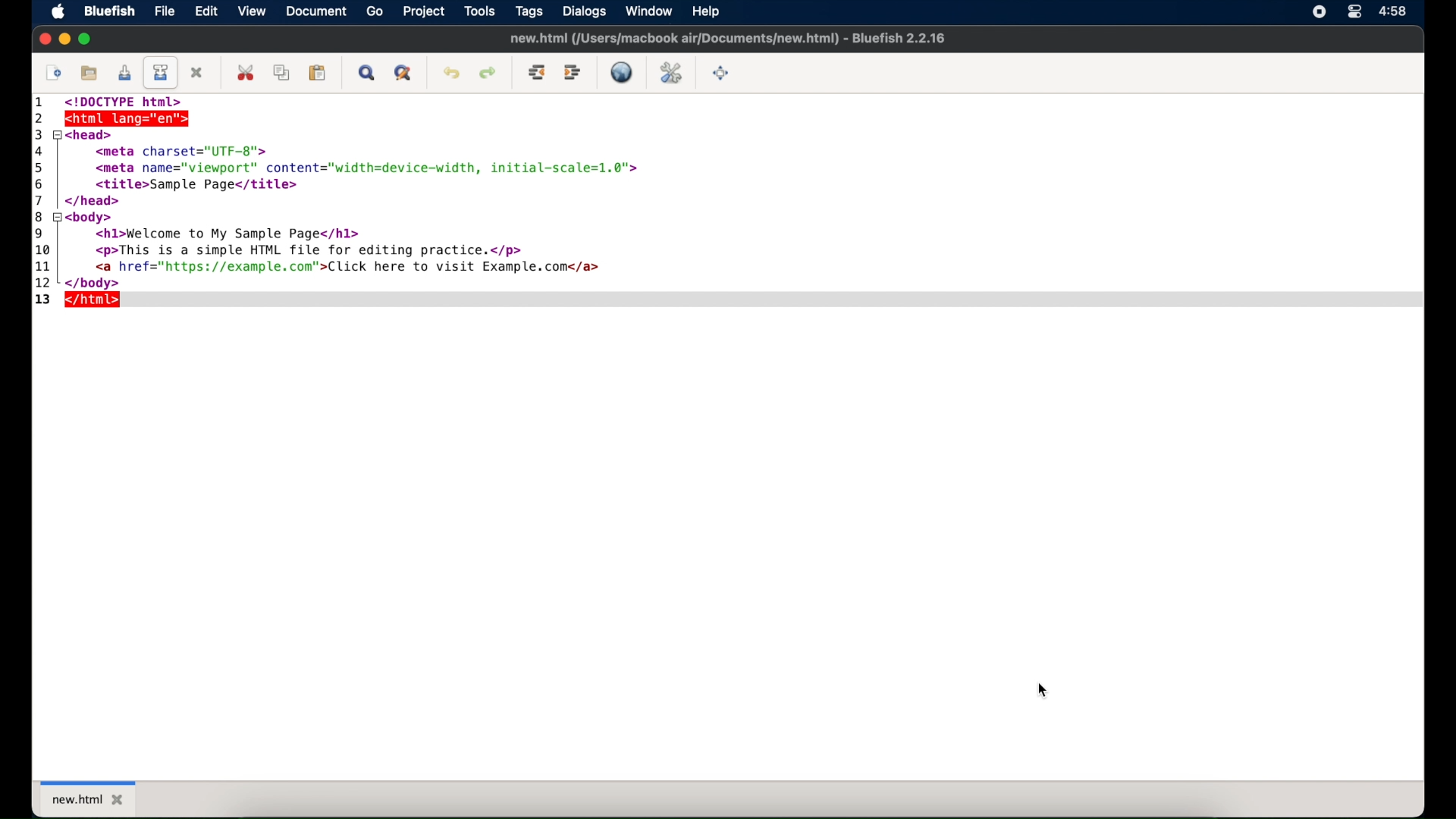 The height and width of the screenshot is (819, 1456). Describe the element at coordinates (404, 74) in the screenshot. I see `advanced find and replace` at that location.